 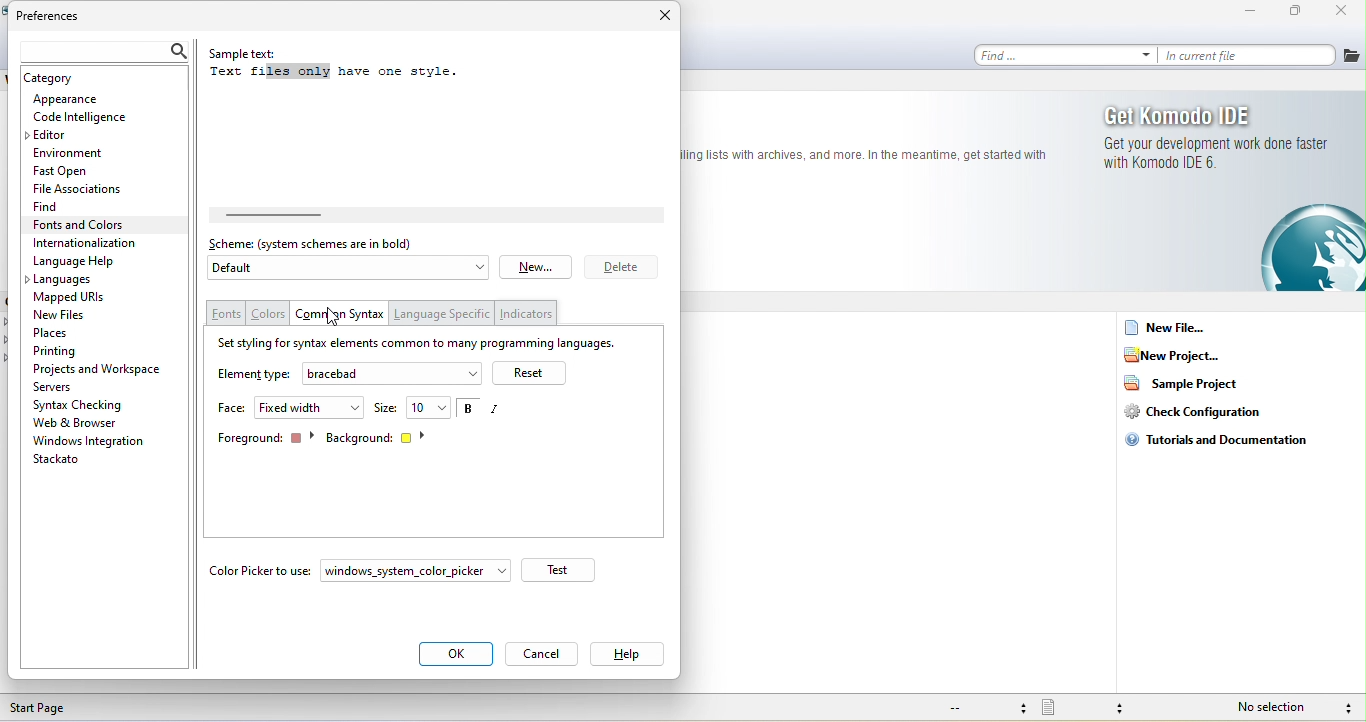 What do you see at coordinates (458, 653) in the screenshot?
I see `ok` at bounding box center [458, 653].